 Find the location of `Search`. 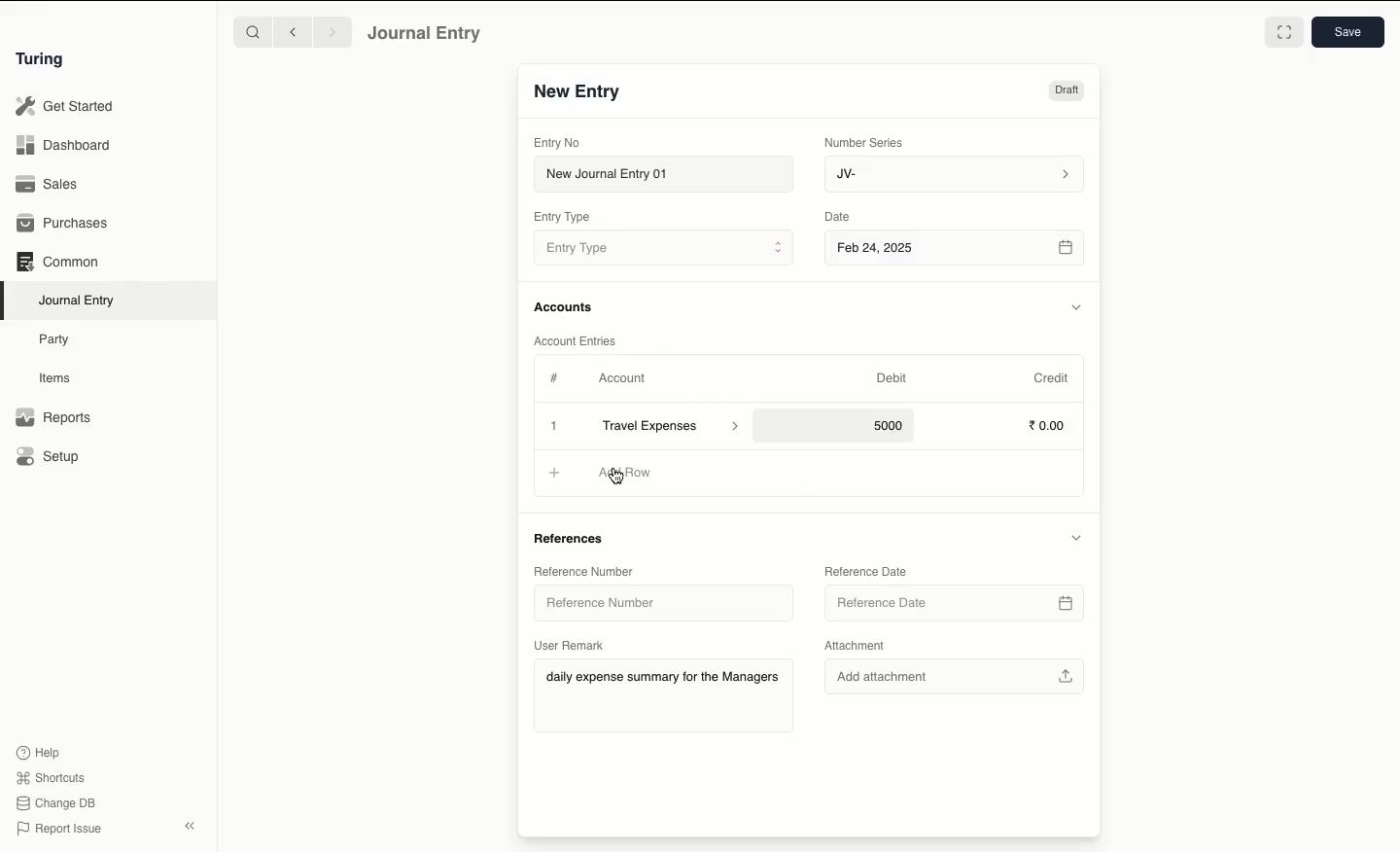

Search is located at coordinates (252, 31).